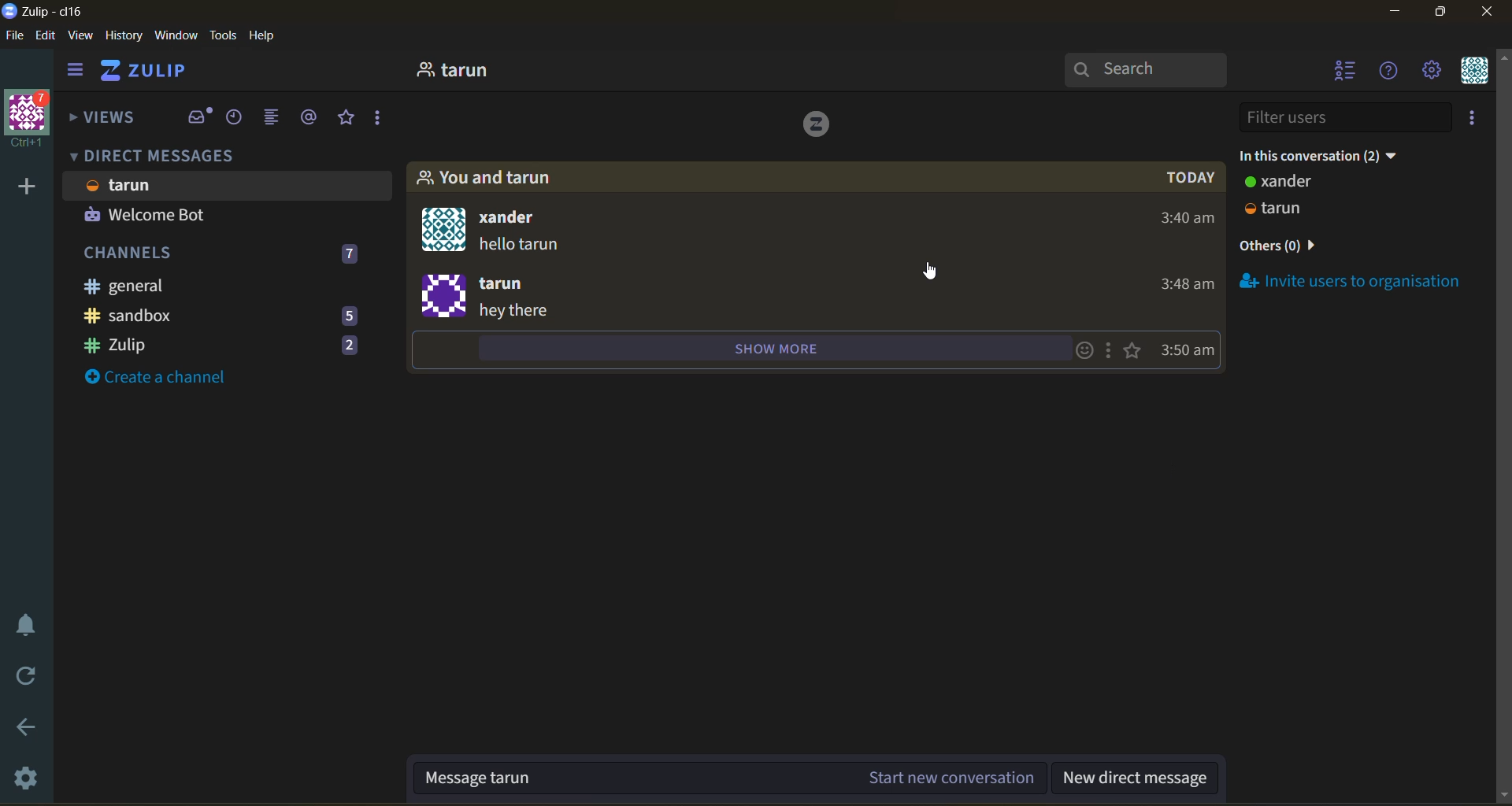 Image resolution: width=1512 pixels, height=806 pixels. What do you see at coordinates (1085, 351) in the screenshot?
I see `add emoji` at bounding box center [1085, 351].